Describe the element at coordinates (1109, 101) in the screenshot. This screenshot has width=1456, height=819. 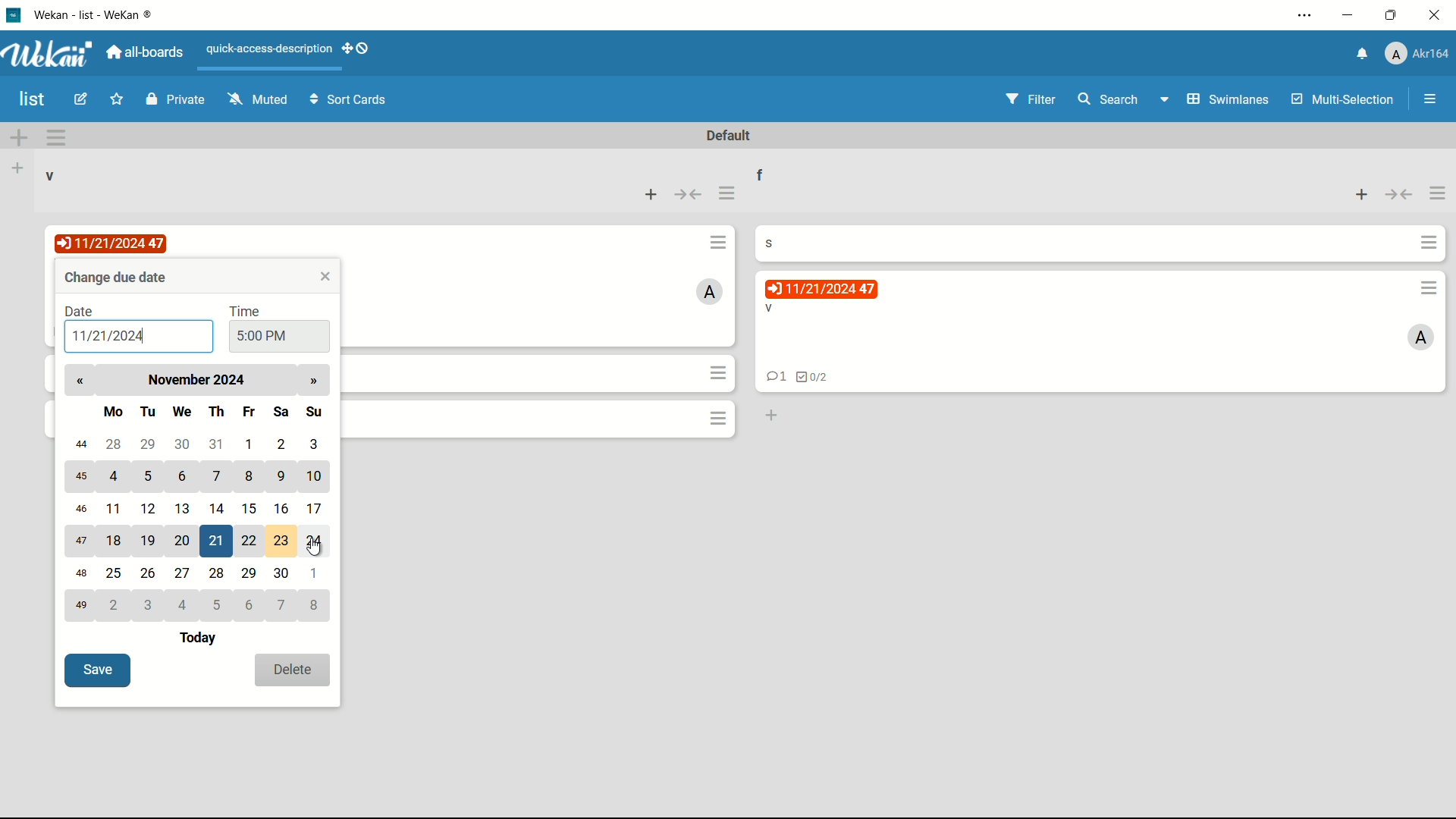
I see `search` at that location.